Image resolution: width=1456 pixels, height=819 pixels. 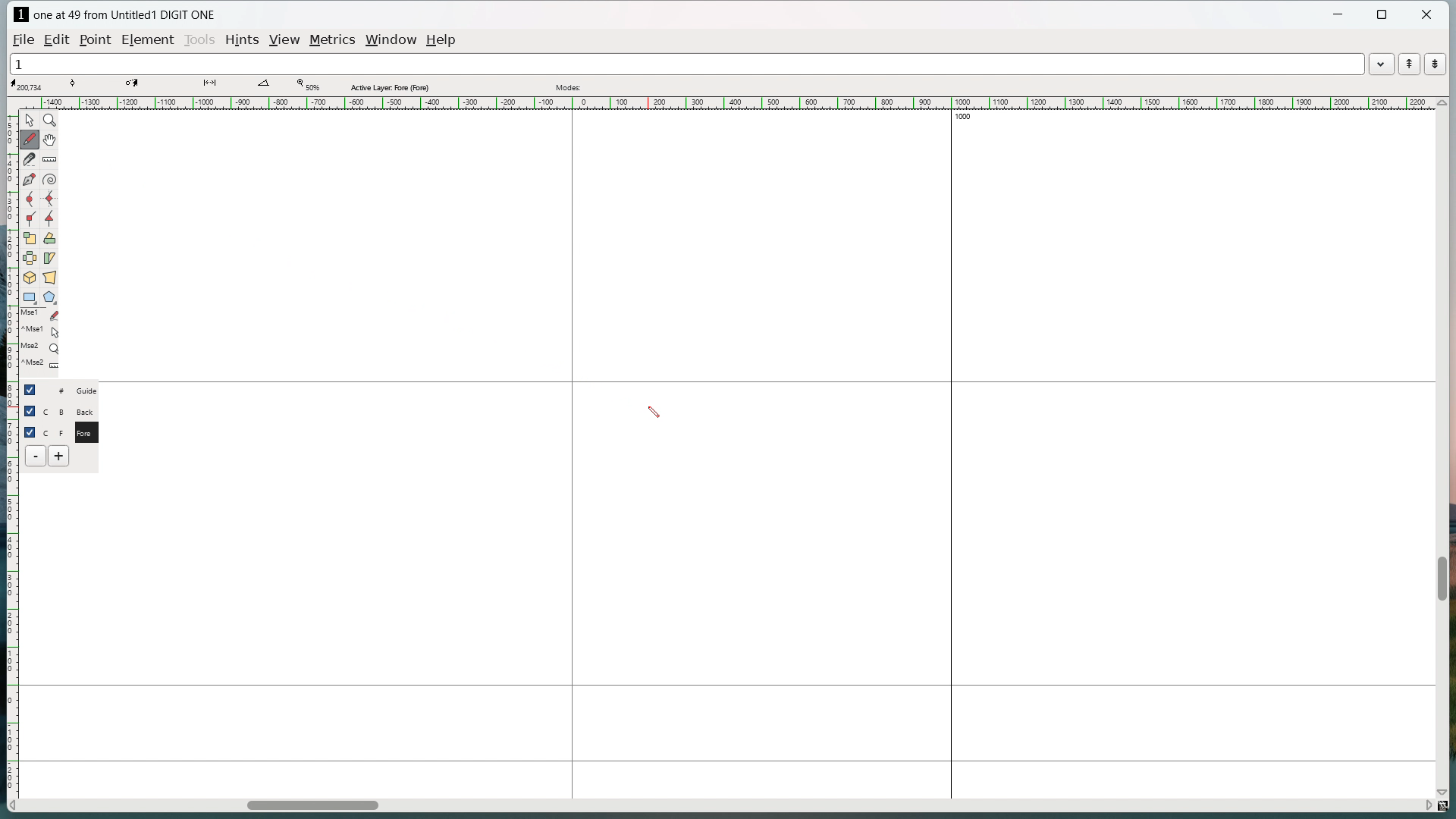 What do you see at coordinates (334, 41) in the screenshot?
I see `metrics` at bounding box center [334, 41].